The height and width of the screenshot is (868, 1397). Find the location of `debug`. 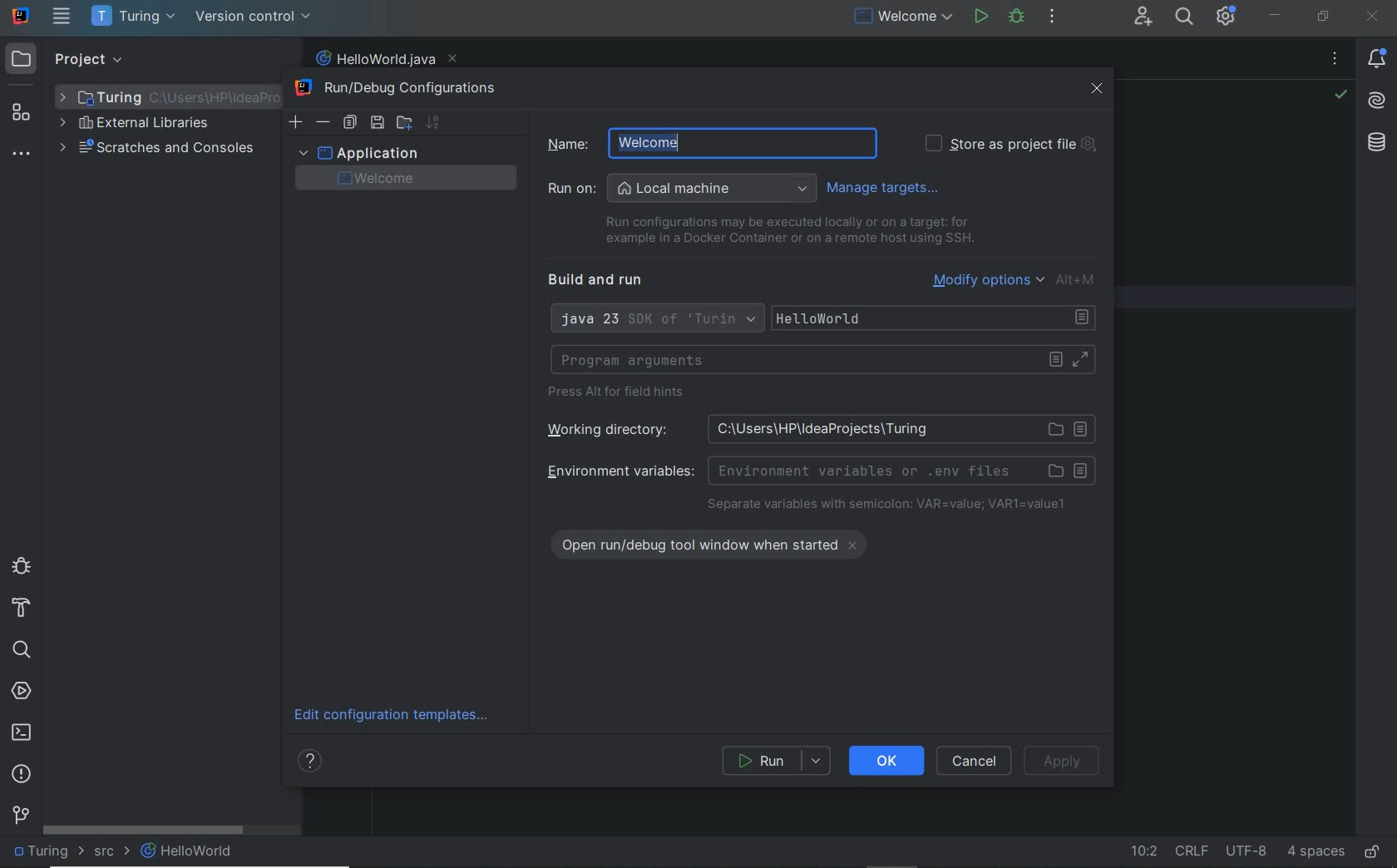

debug is located at coordinates (1017, 17).